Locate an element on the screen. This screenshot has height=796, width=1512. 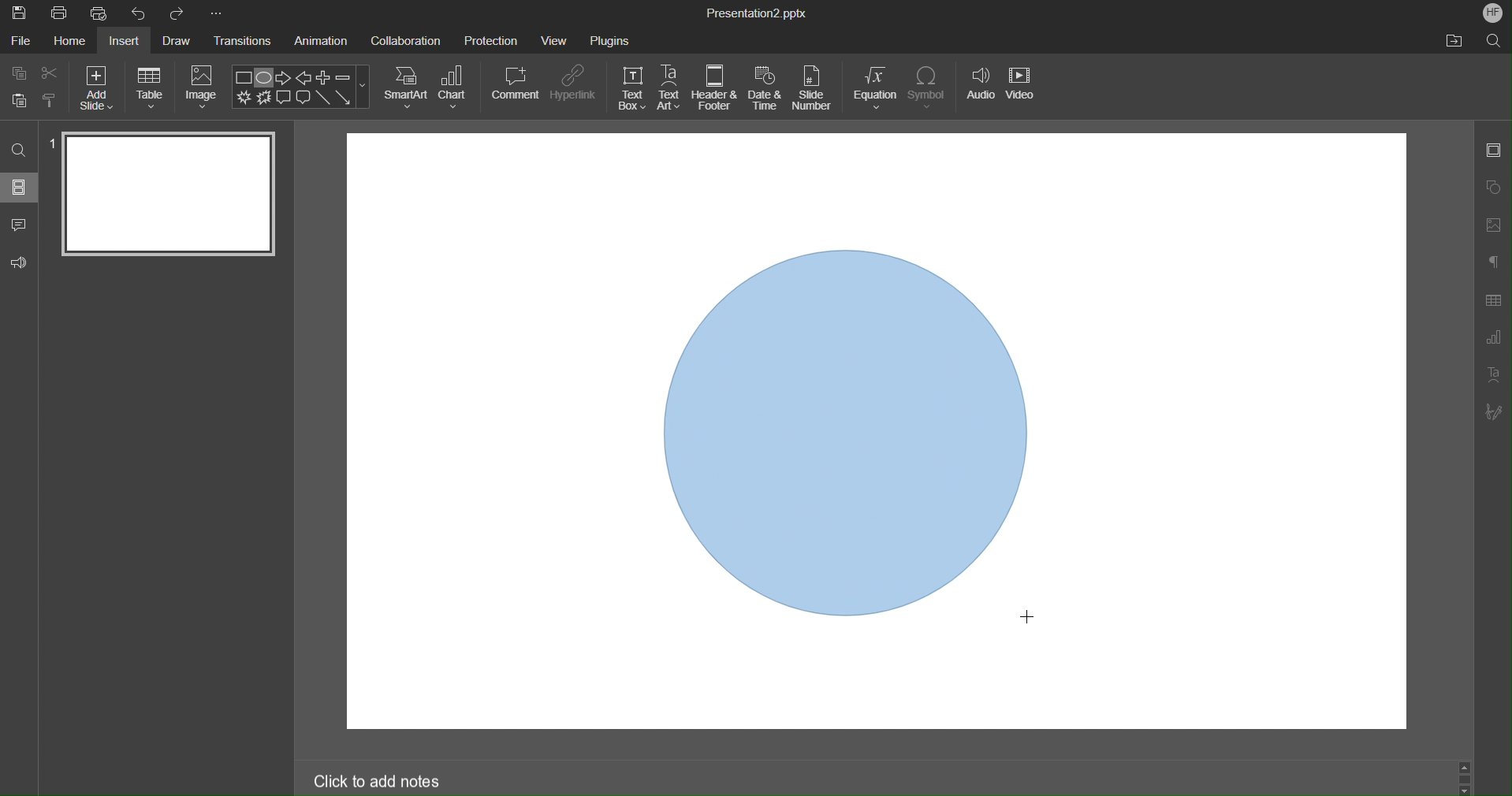
Shape Settings is located at coordinates (1495, 186).